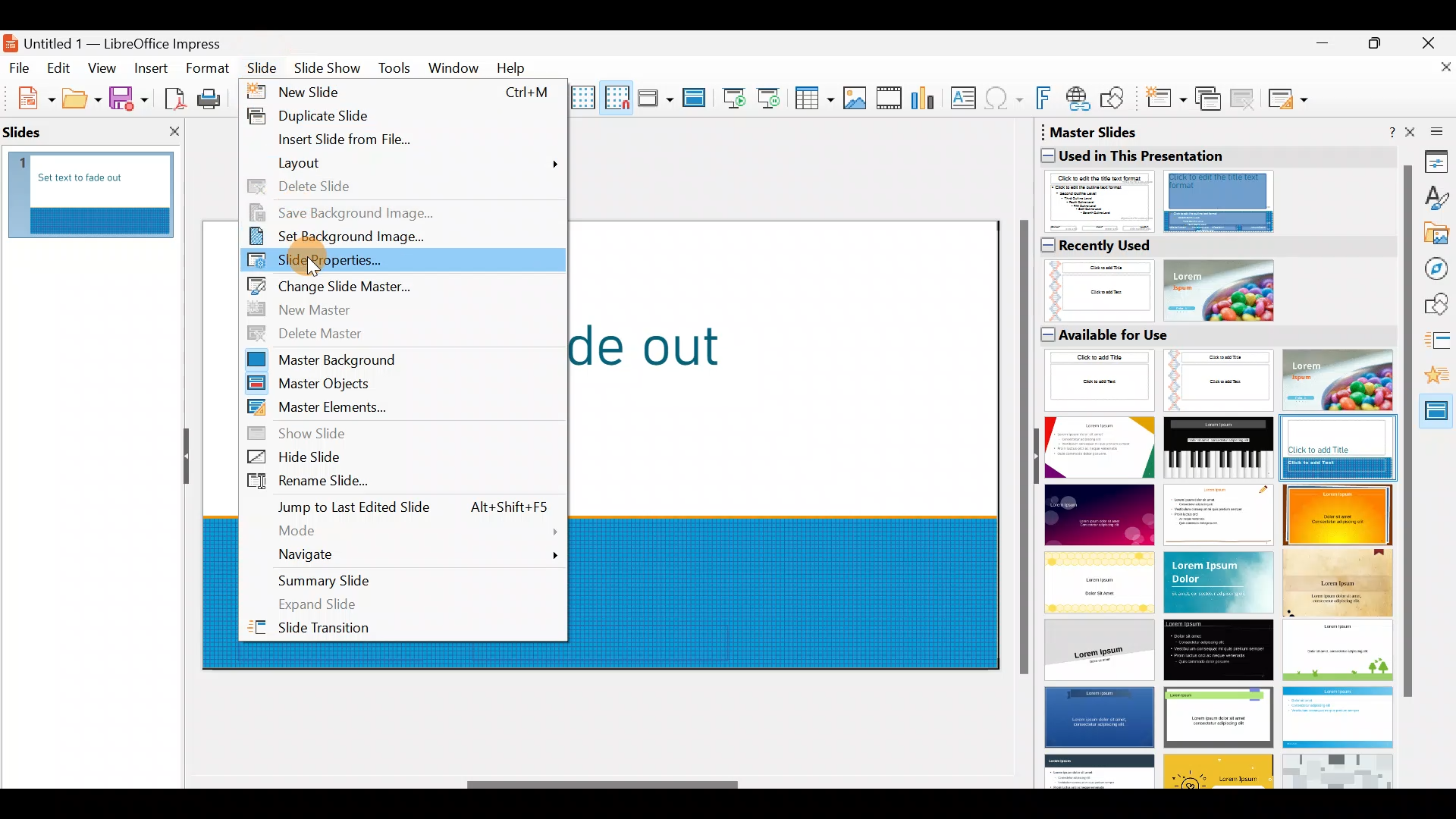 The image size is (1456, 819). Describe the element at coordinates (100, 198) in the screenshot. I see `Slide pane` at that location.